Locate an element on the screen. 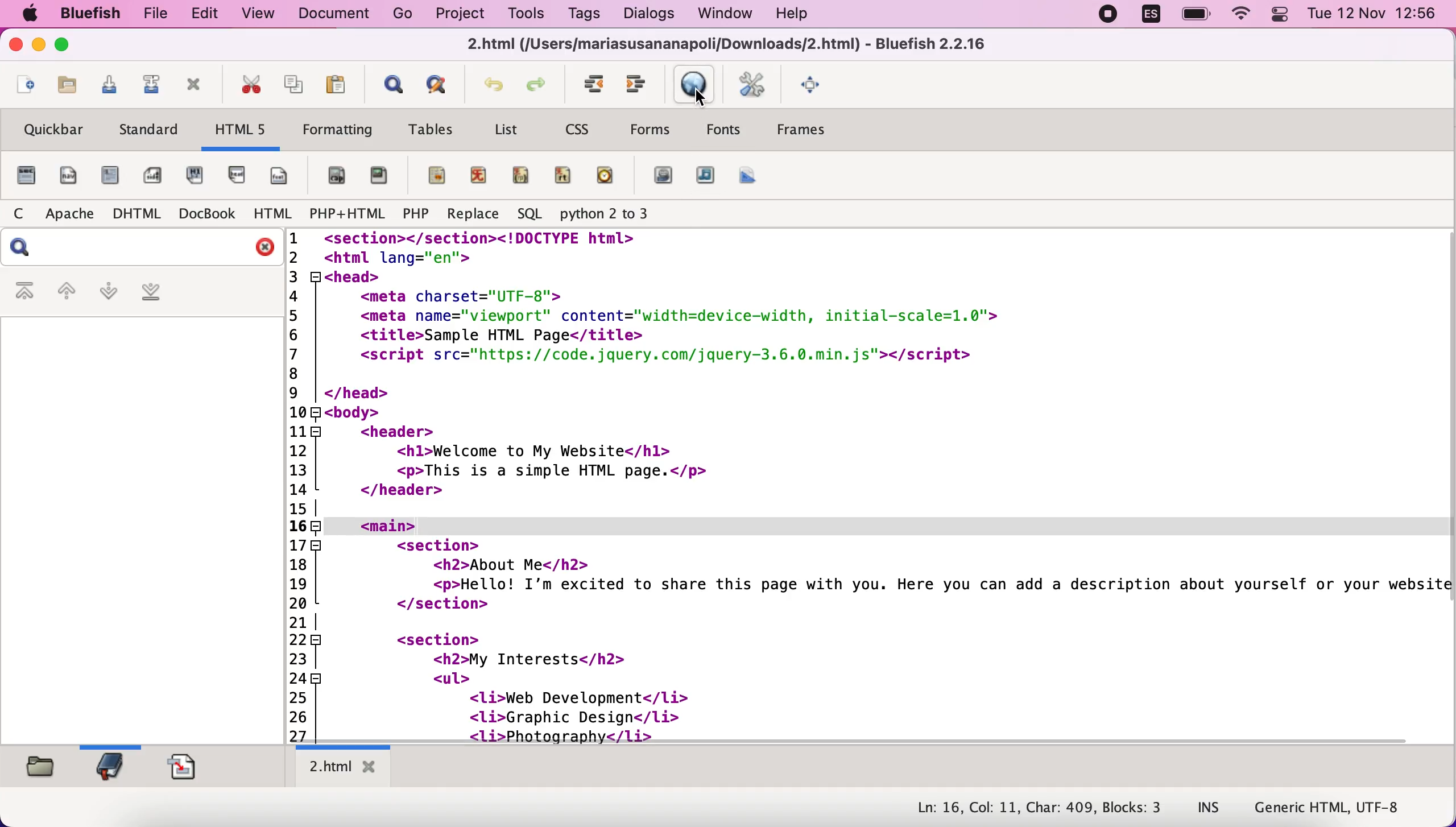  quickstar is located at coordinates (25, 177).